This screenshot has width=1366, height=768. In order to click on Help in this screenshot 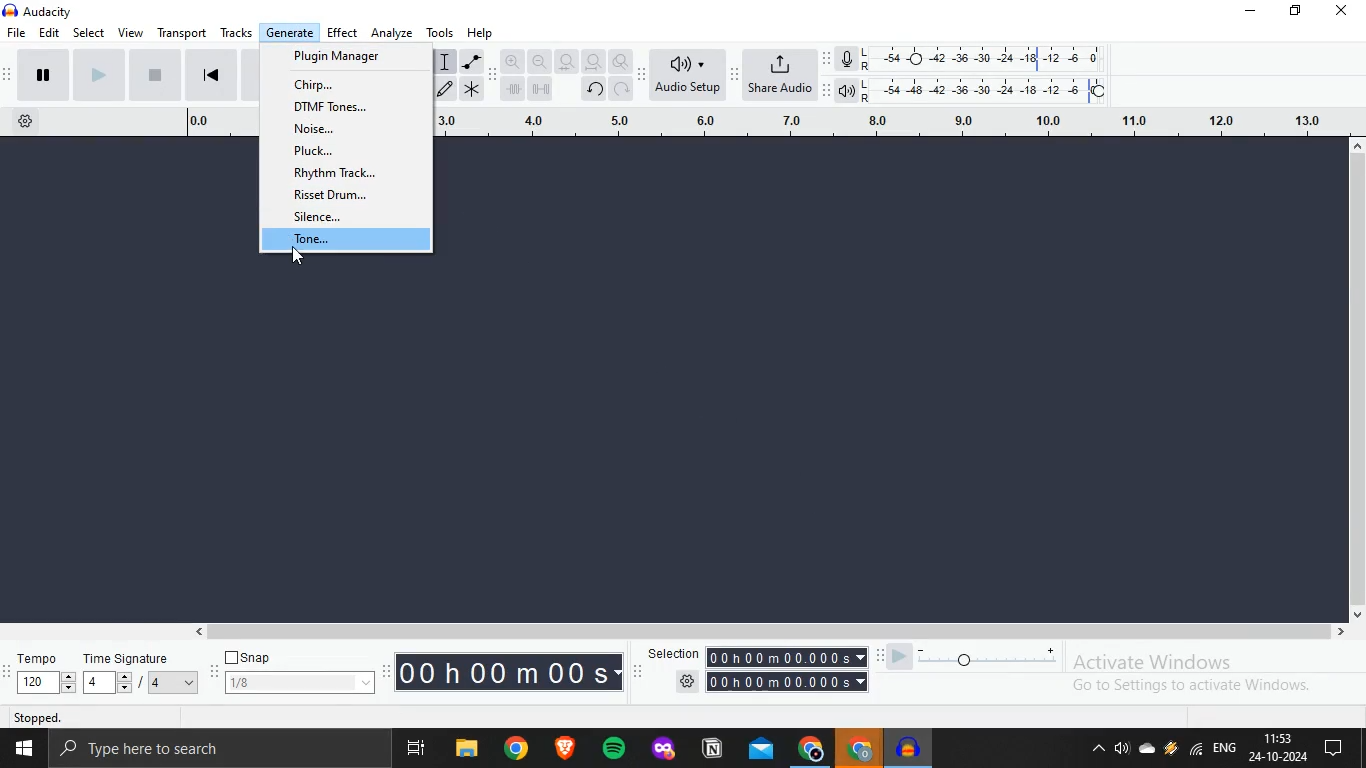, I will do `click(485, 32)`.